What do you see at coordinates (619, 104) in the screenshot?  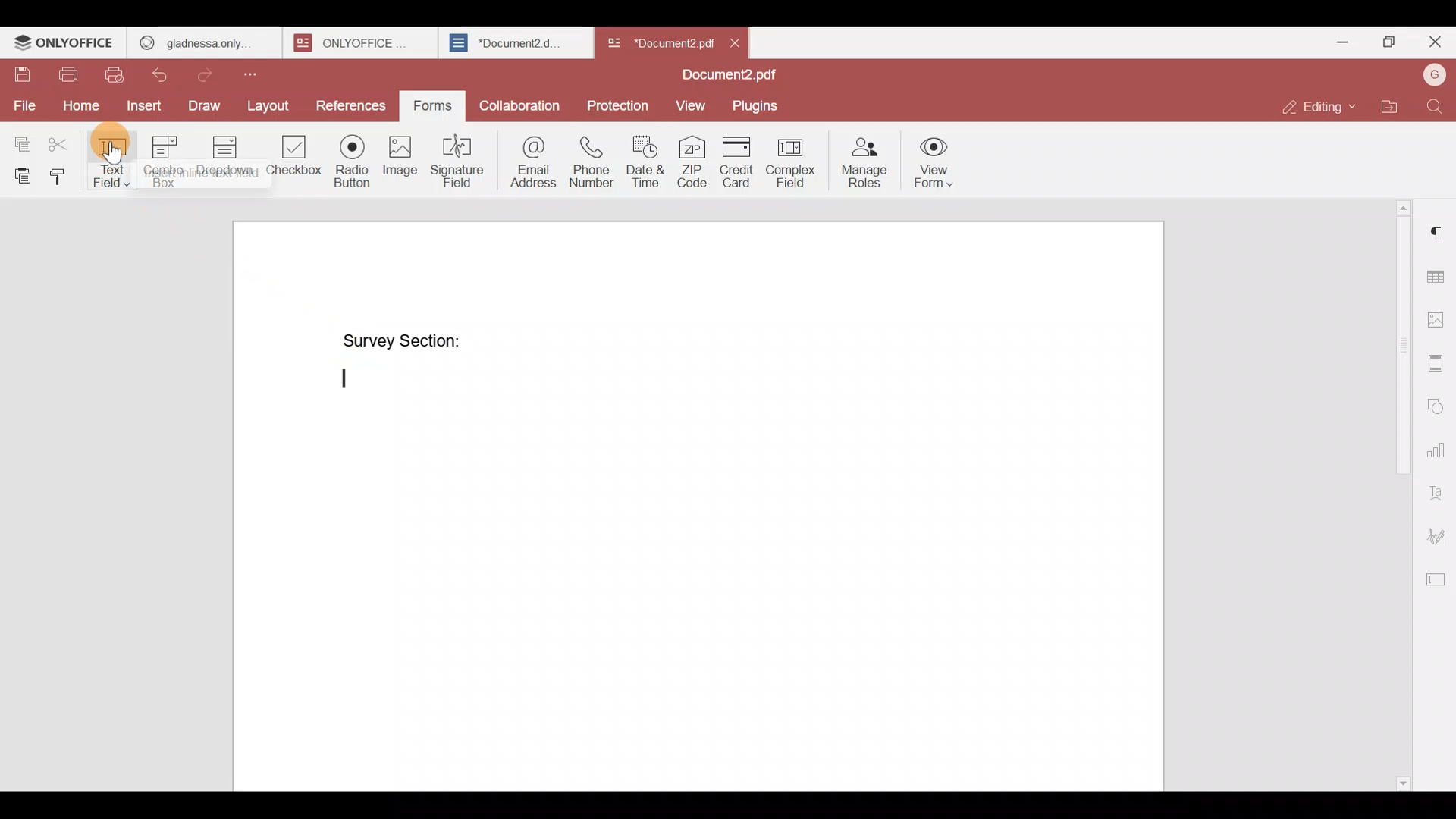 I see `Protection` at bounding box center [619, 104].